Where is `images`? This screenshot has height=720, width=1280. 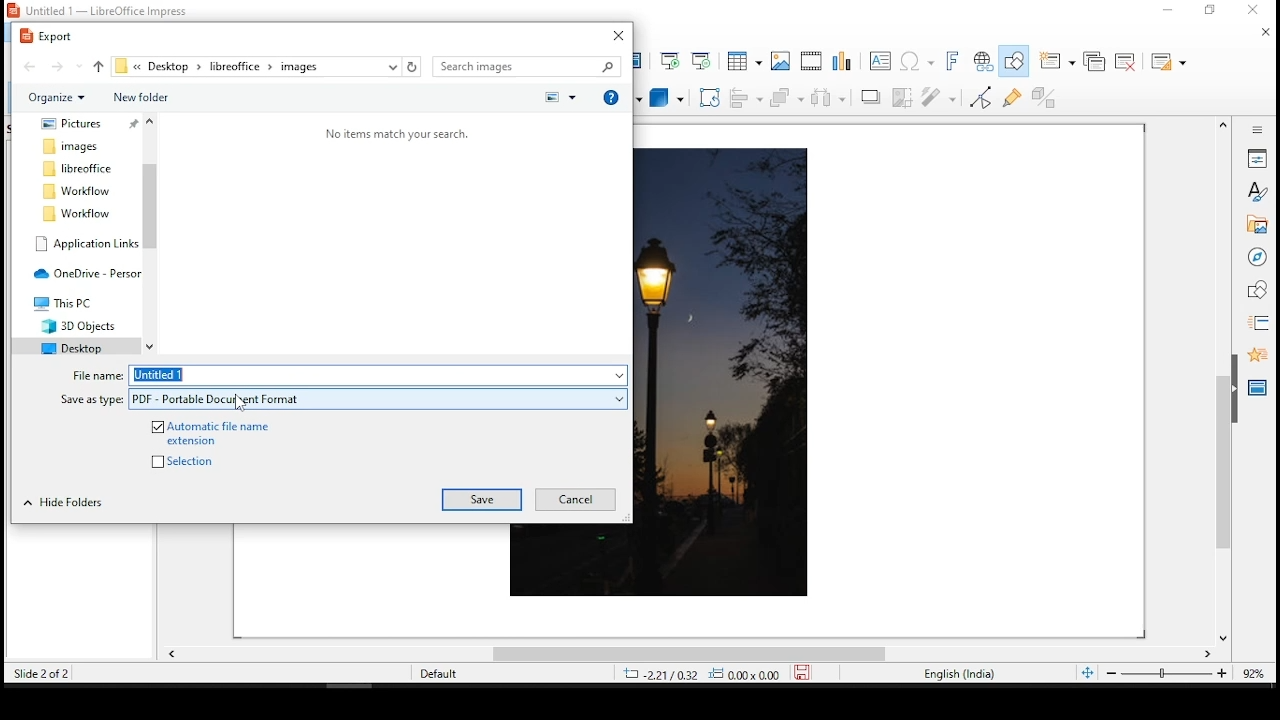
images is located at coordinates (779, 59).